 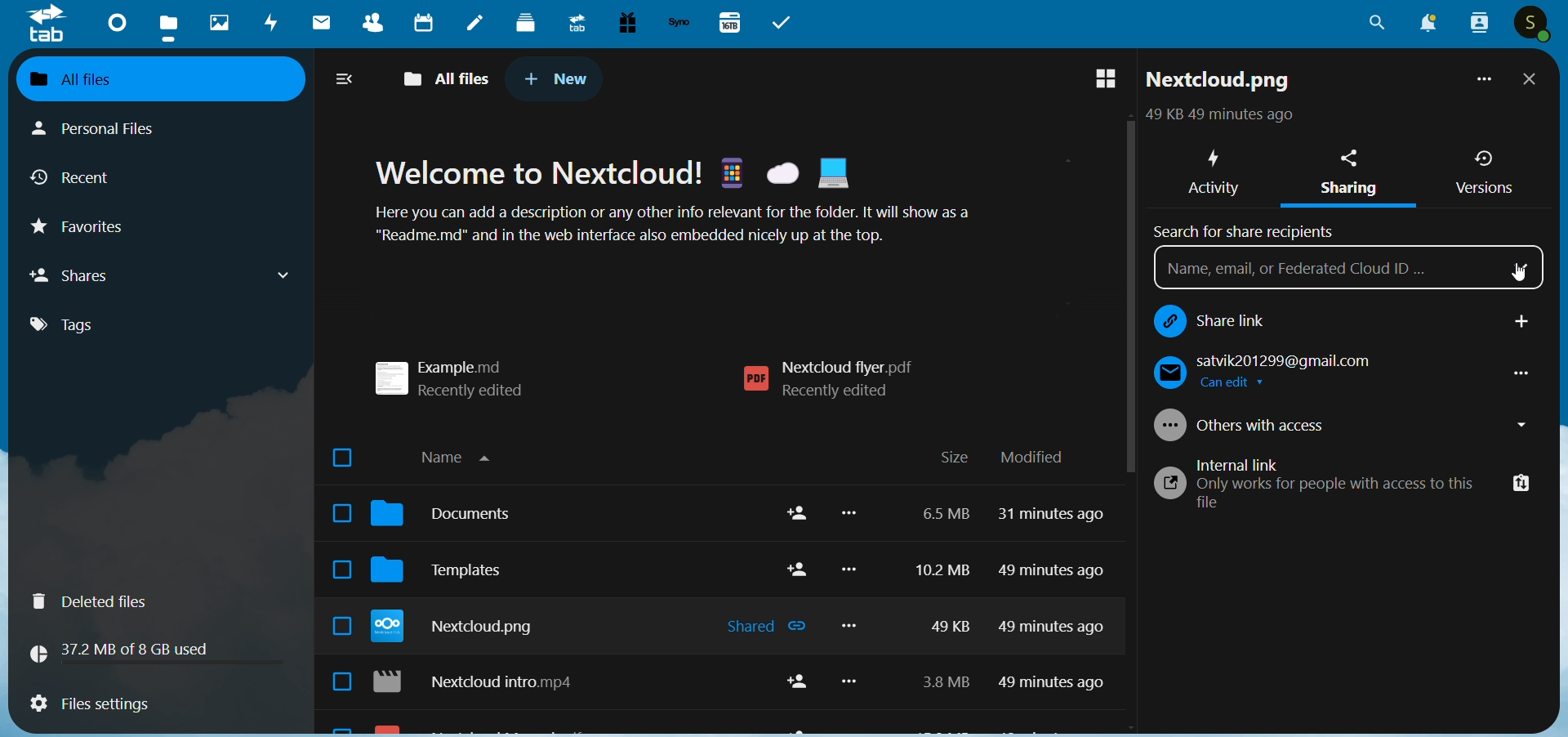 What do you see at coordinates (346, 81) in the screenshot?
I see `collapse/expand` at bounding box center [346, 81].